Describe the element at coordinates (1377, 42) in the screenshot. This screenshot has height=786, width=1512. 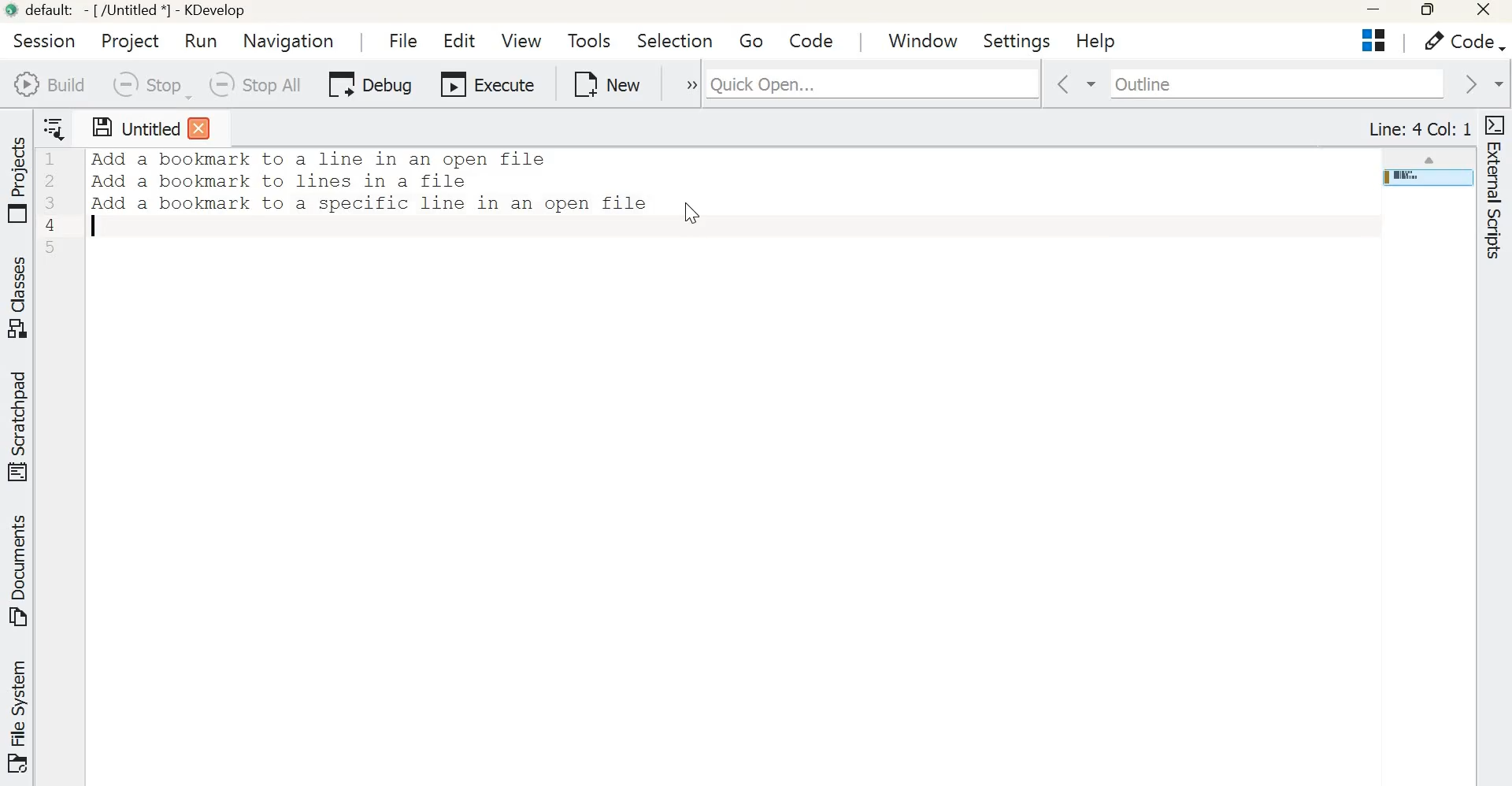
I see `Projects` at that location.